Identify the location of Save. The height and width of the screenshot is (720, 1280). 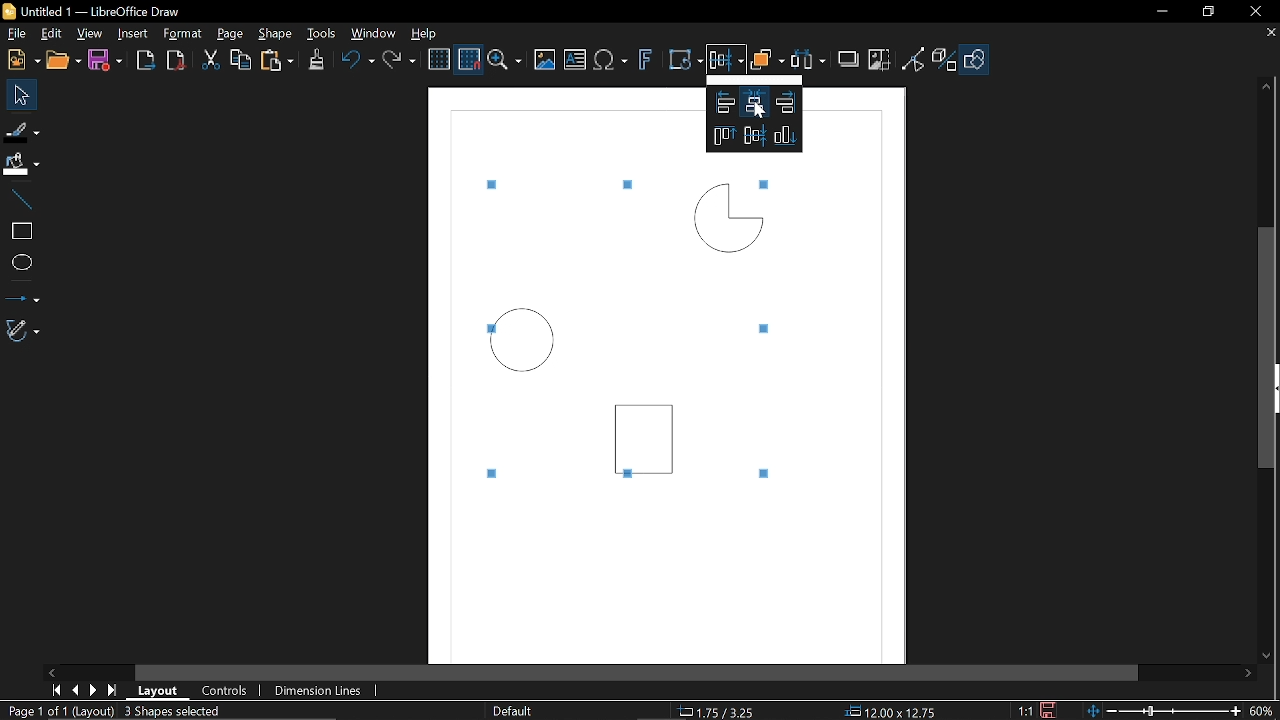
(104, 61).